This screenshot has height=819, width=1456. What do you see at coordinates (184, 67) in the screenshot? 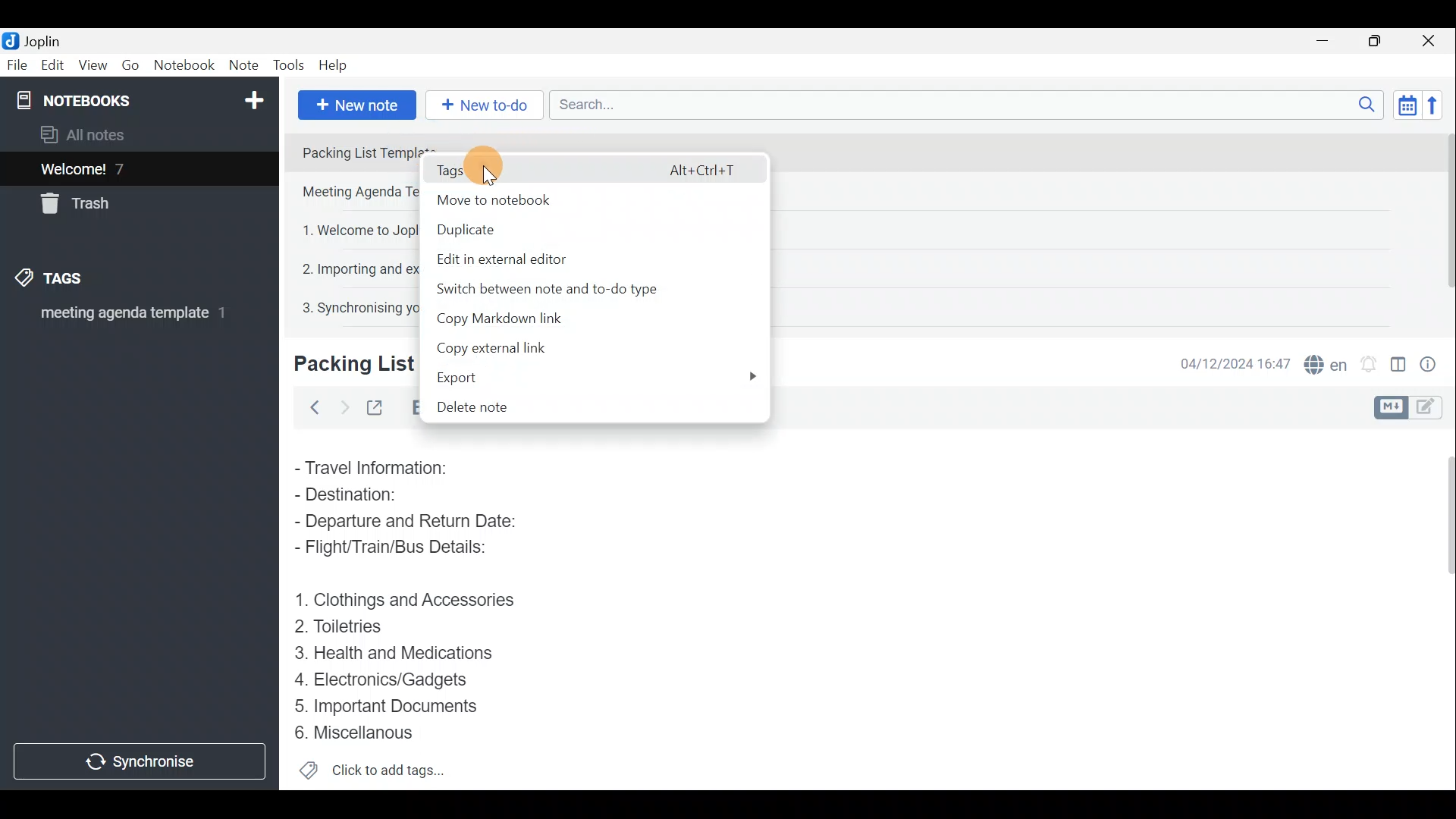
I see `Notebook` at bounding box center [184, 67].